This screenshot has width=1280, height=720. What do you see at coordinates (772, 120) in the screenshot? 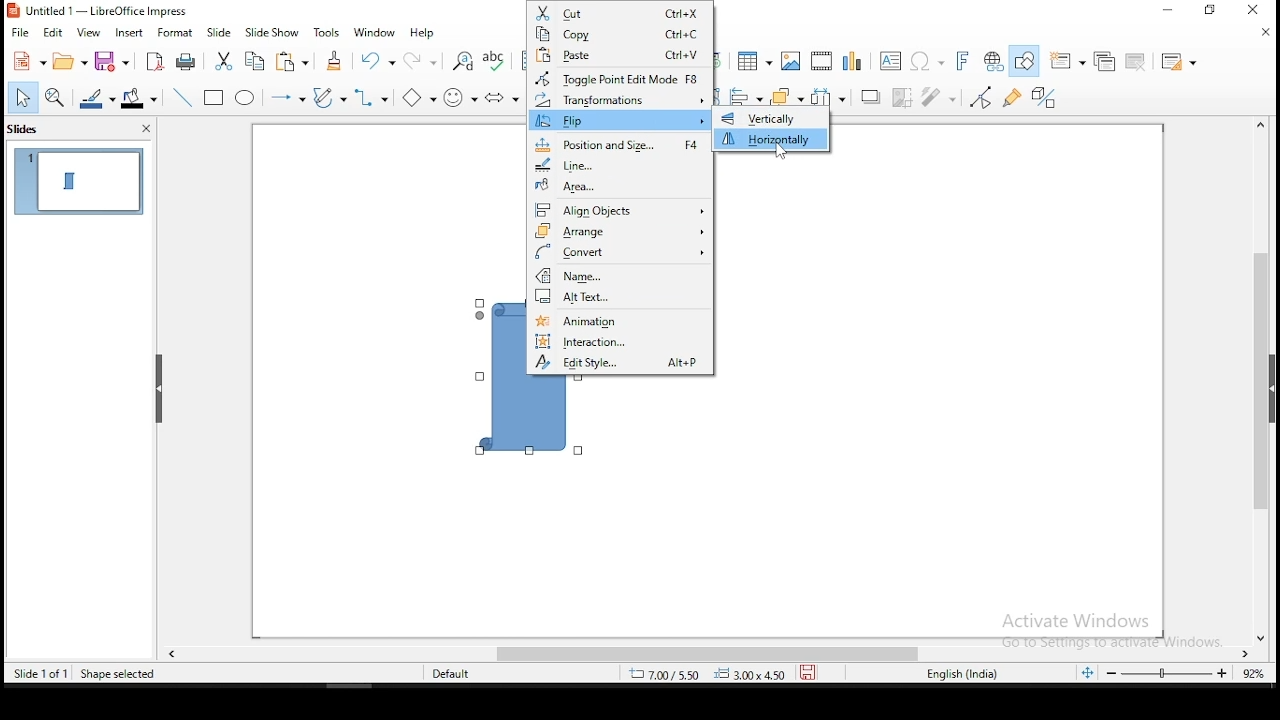
I see `vertically` at bounding box center [772, 120].